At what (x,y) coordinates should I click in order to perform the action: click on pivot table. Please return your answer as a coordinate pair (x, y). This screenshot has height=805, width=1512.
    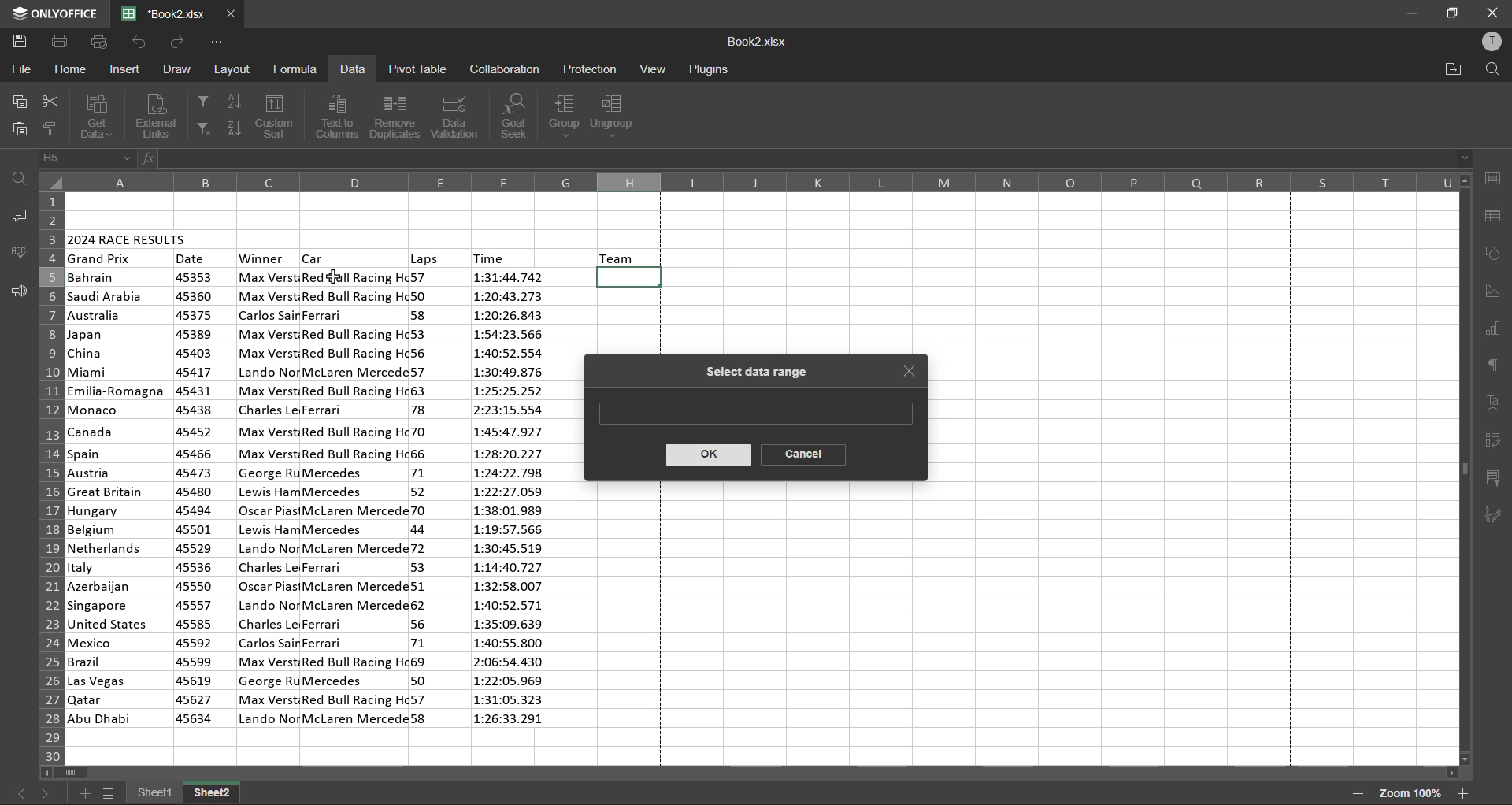
    Looking at the image, I should click on (1494, 441).